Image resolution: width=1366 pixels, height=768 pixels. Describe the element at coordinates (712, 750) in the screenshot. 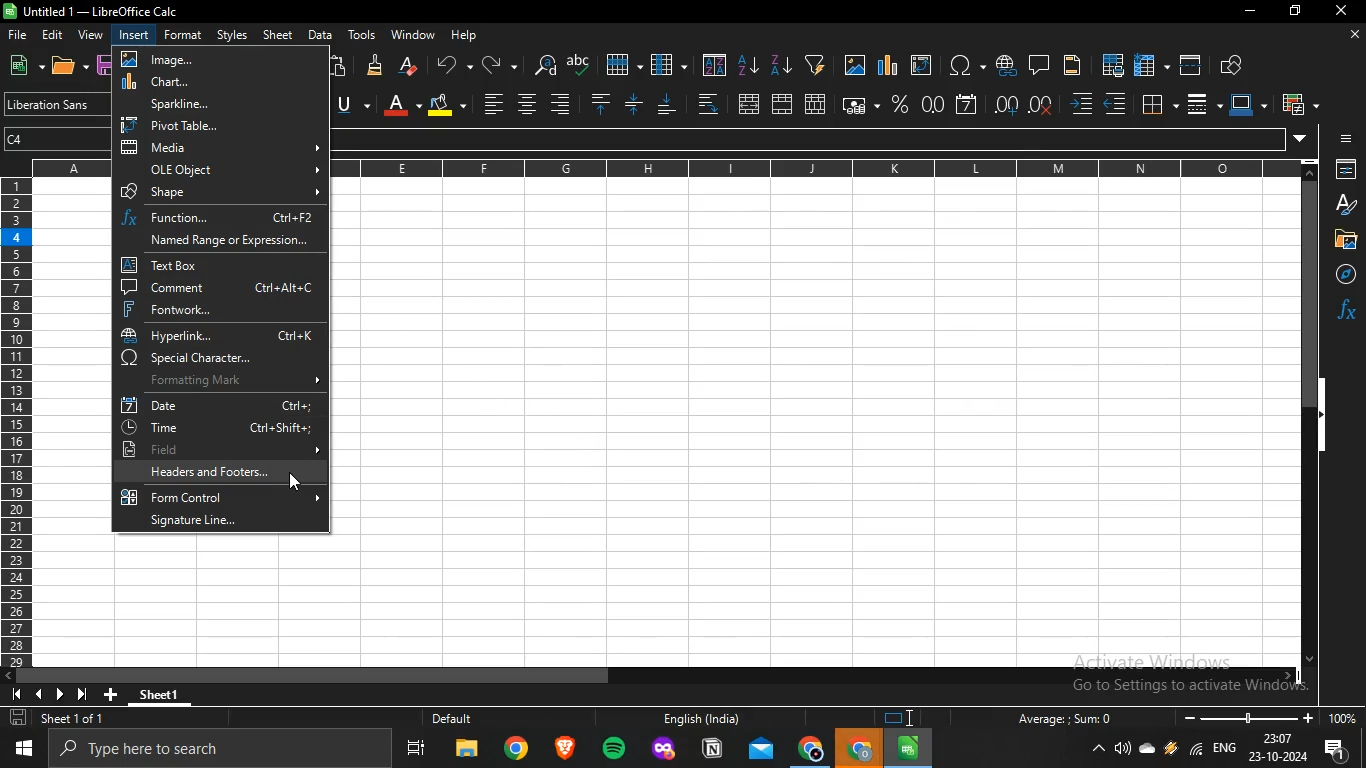

I see `notion` at that location.